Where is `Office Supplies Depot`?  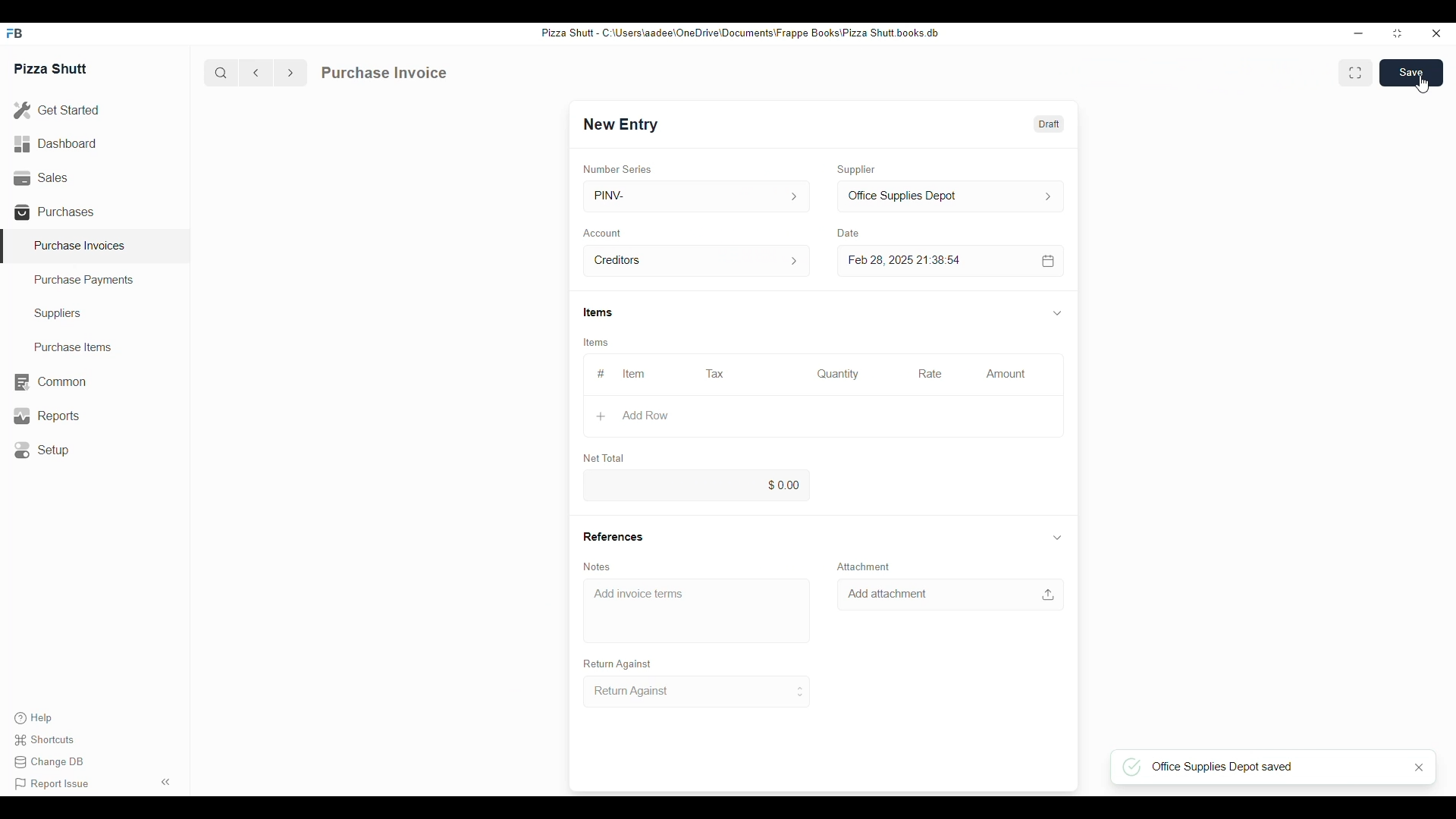
Office Supplies Depot is located at coordinates (951, 196).